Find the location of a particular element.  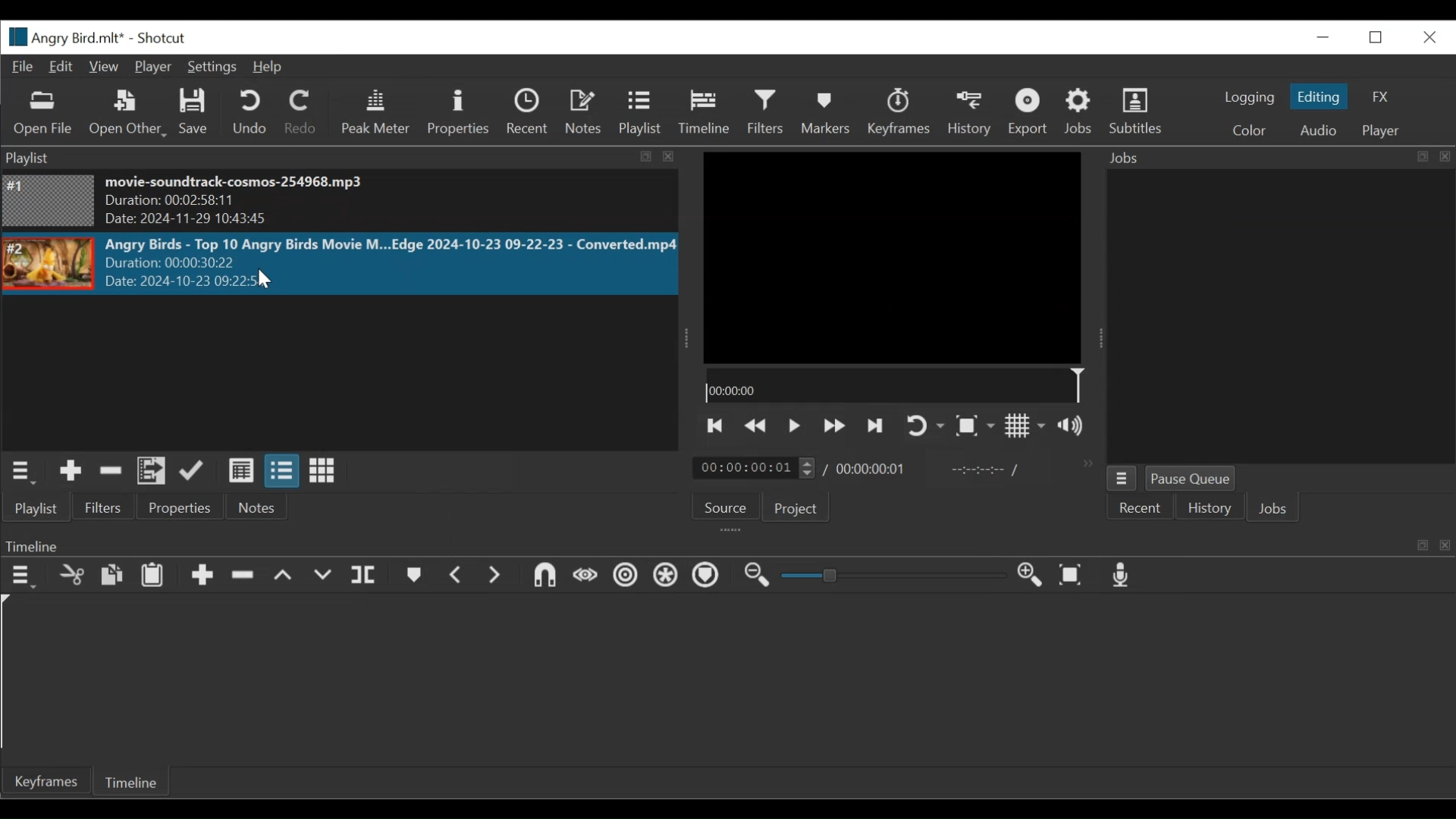

Update is located at coordinates (196, 471).